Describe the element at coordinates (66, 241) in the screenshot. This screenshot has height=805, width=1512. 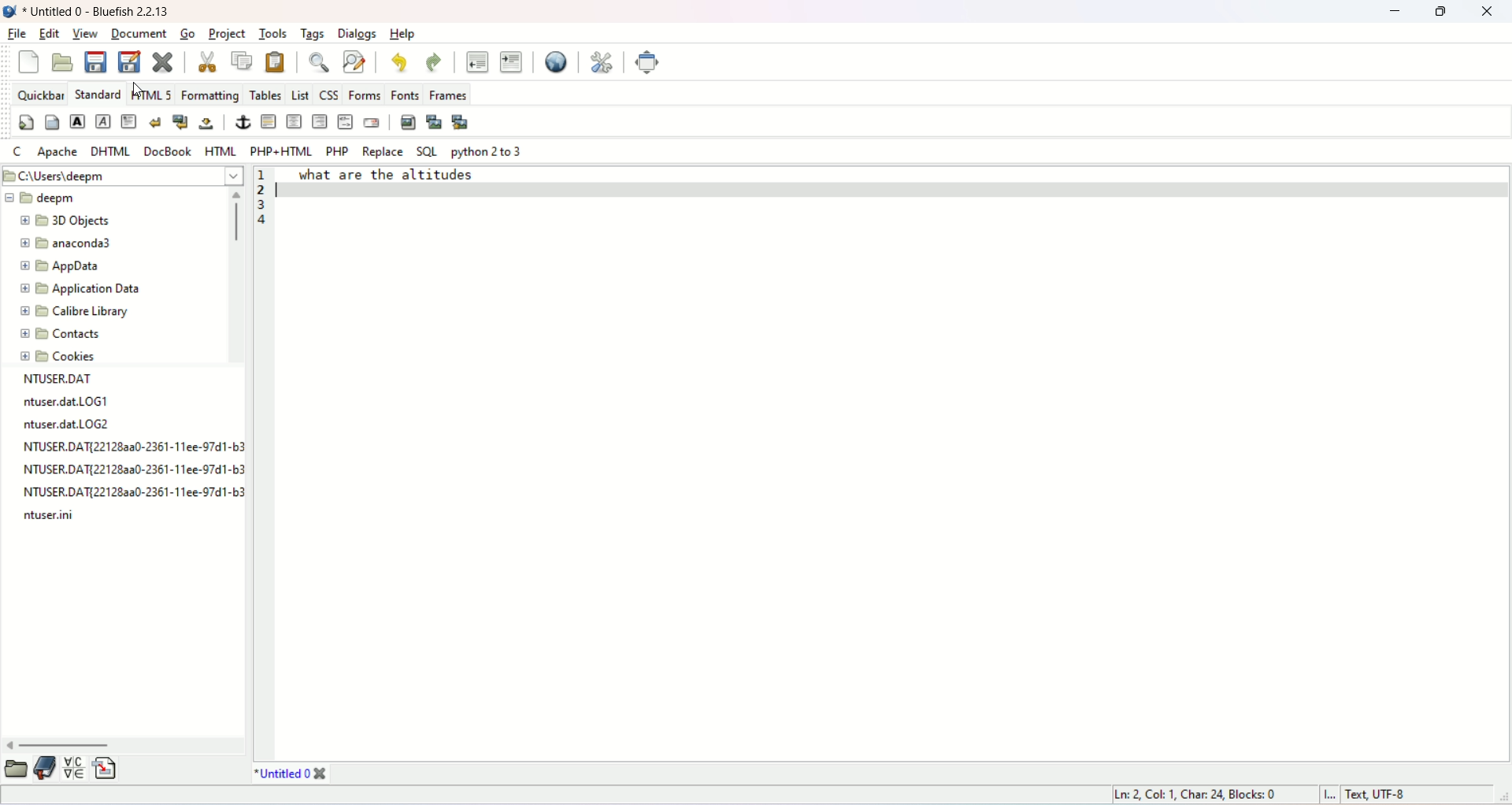
I see `anaconda` at that location.